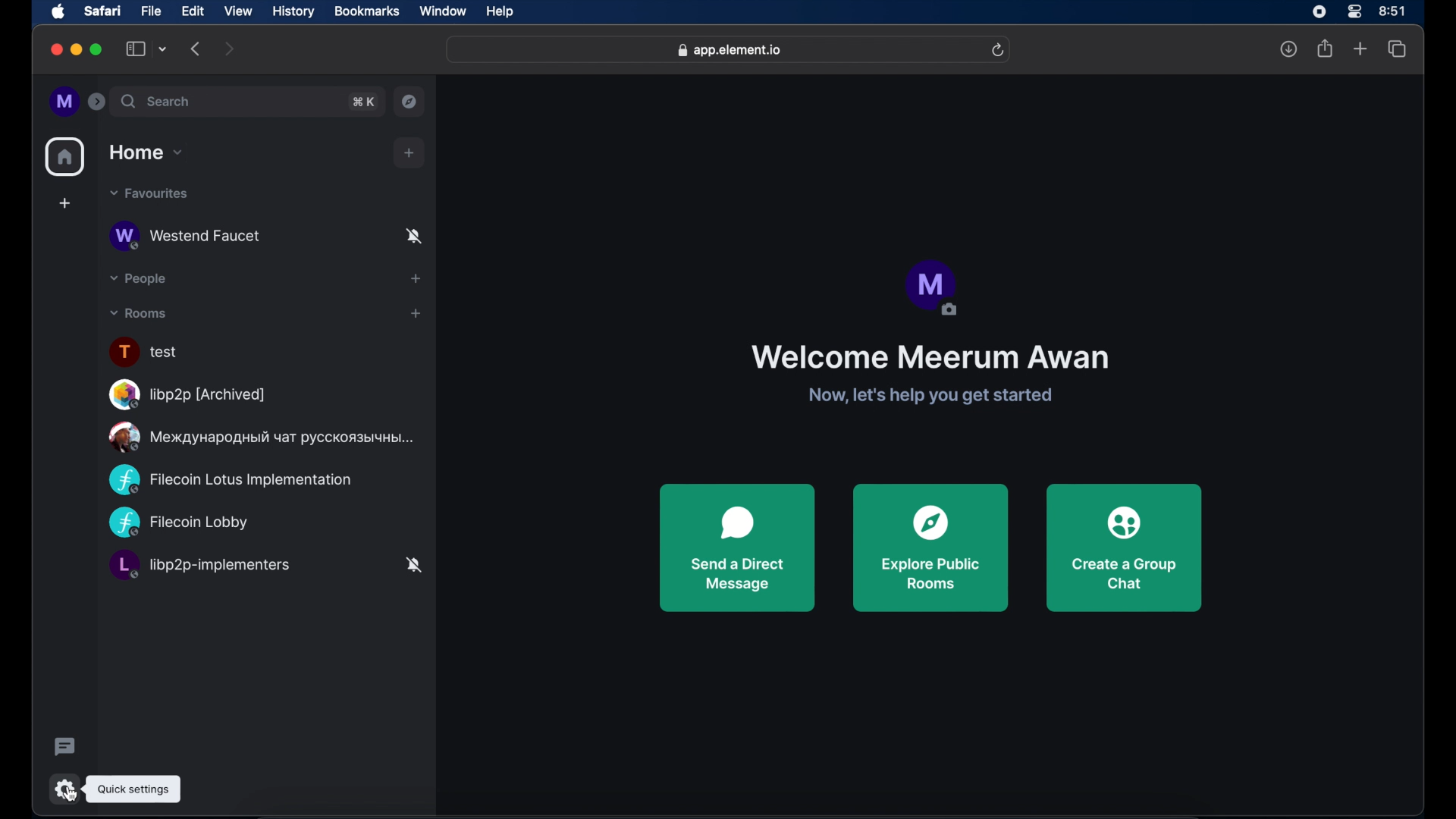 Image resolution: width=1456 pixels, height=819 pixels. I want to click on forward, so click(234, 49).